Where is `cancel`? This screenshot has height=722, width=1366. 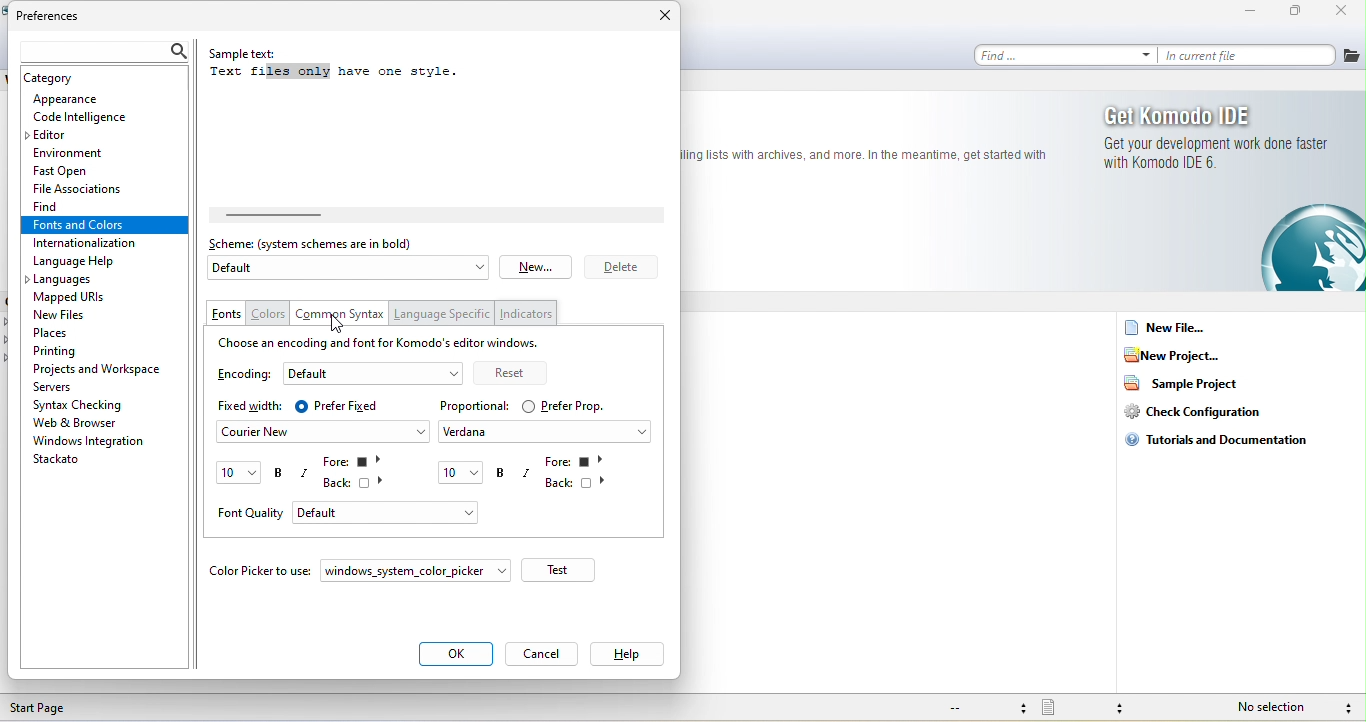 cancel is located at coordinates (543, 652).